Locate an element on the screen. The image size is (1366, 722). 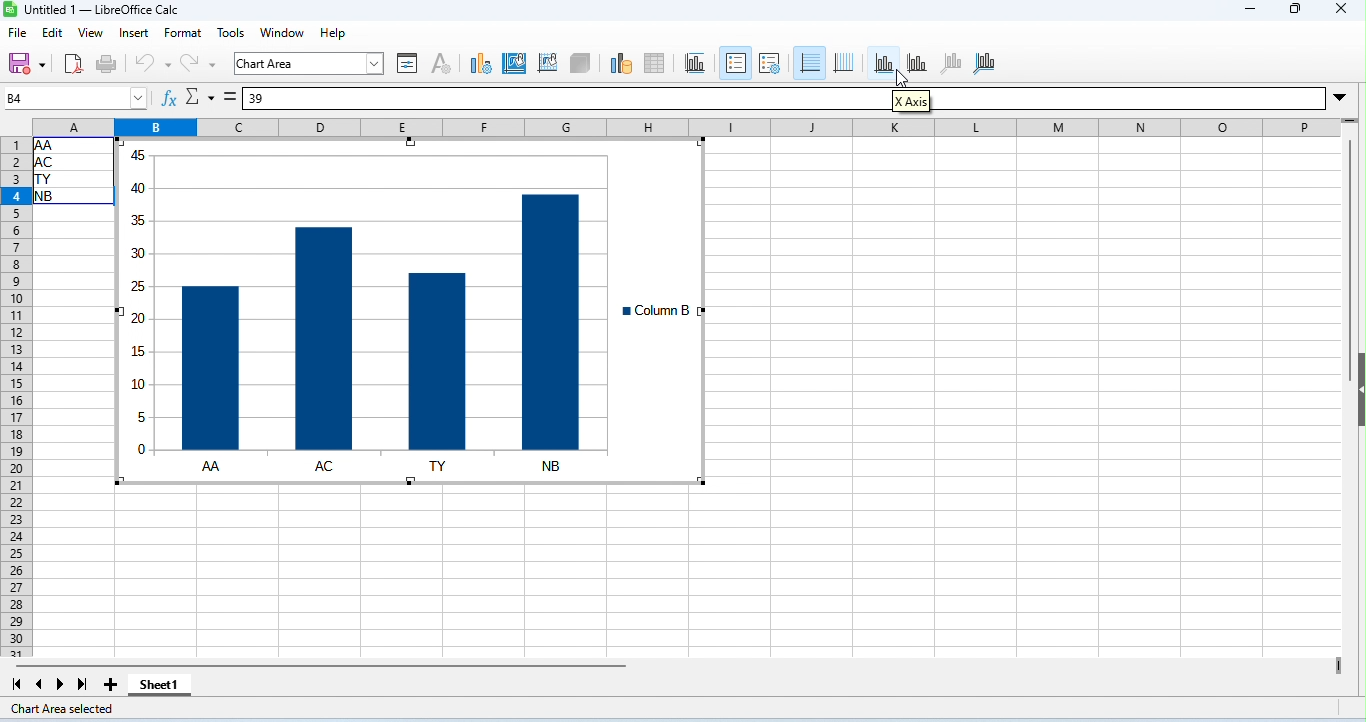
selected cell number is located at coordinates (77, 99).